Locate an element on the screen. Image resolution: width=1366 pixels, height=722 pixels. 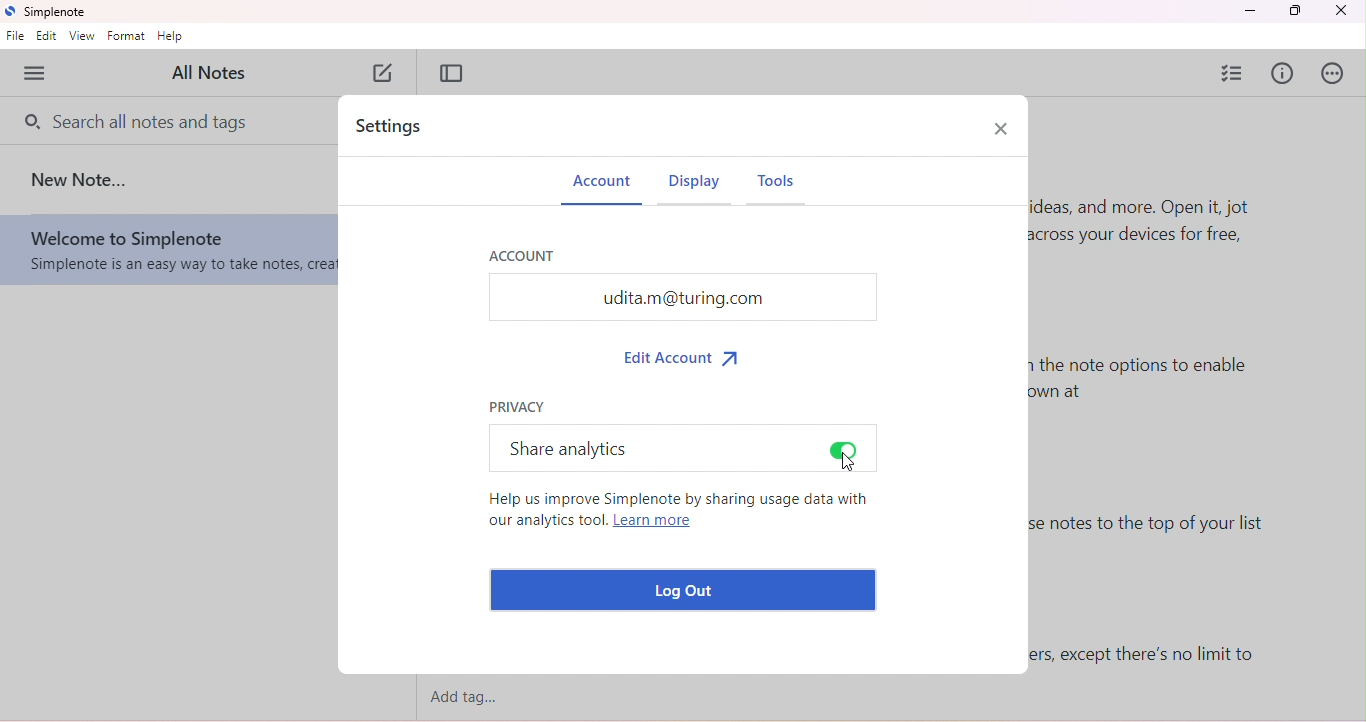
all notes is located at coordinates (216, 72).